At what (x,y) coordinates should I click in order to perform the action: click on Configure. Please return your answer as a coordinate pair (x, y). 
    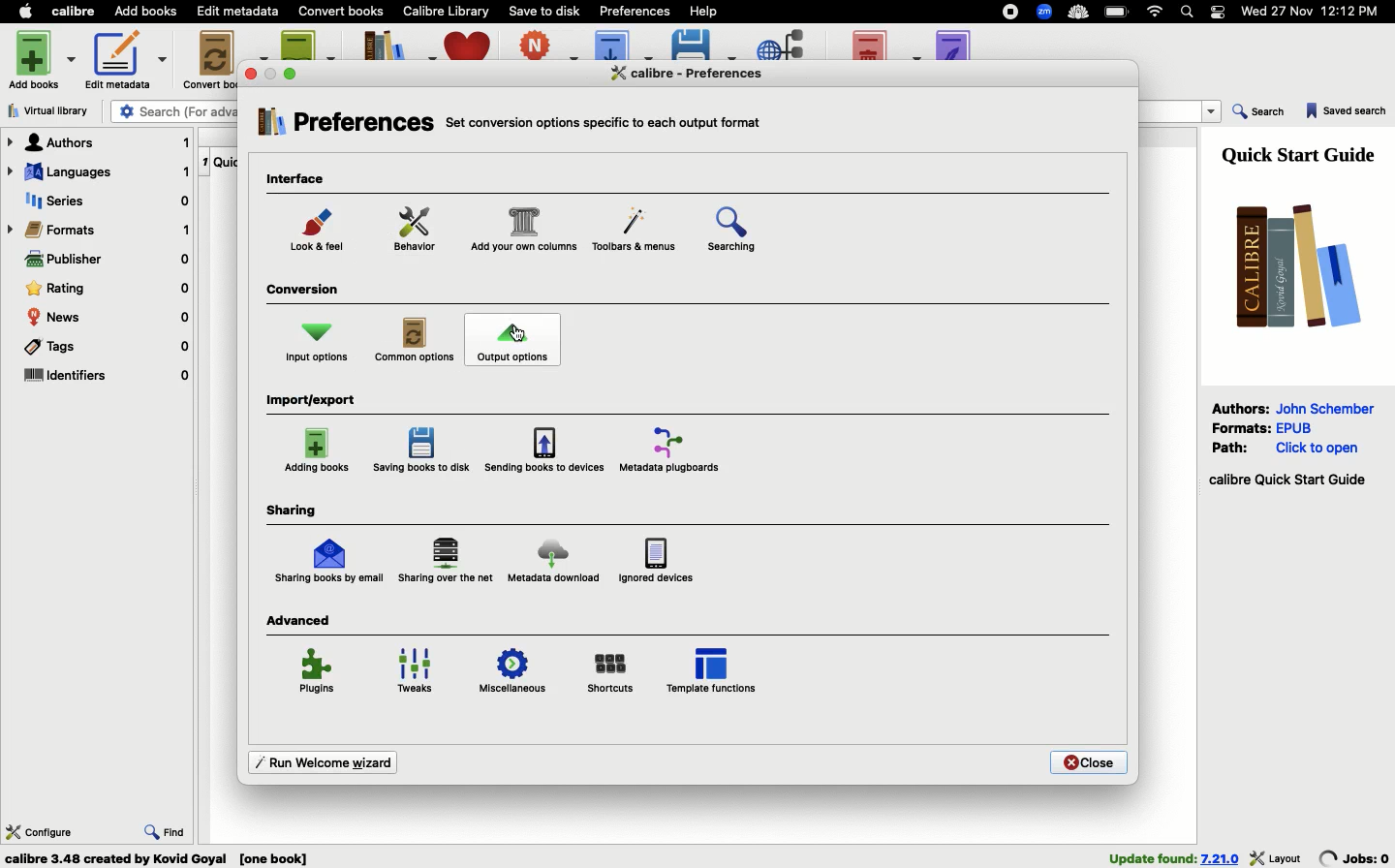
    Looking at the image, I should click on (40, 830).